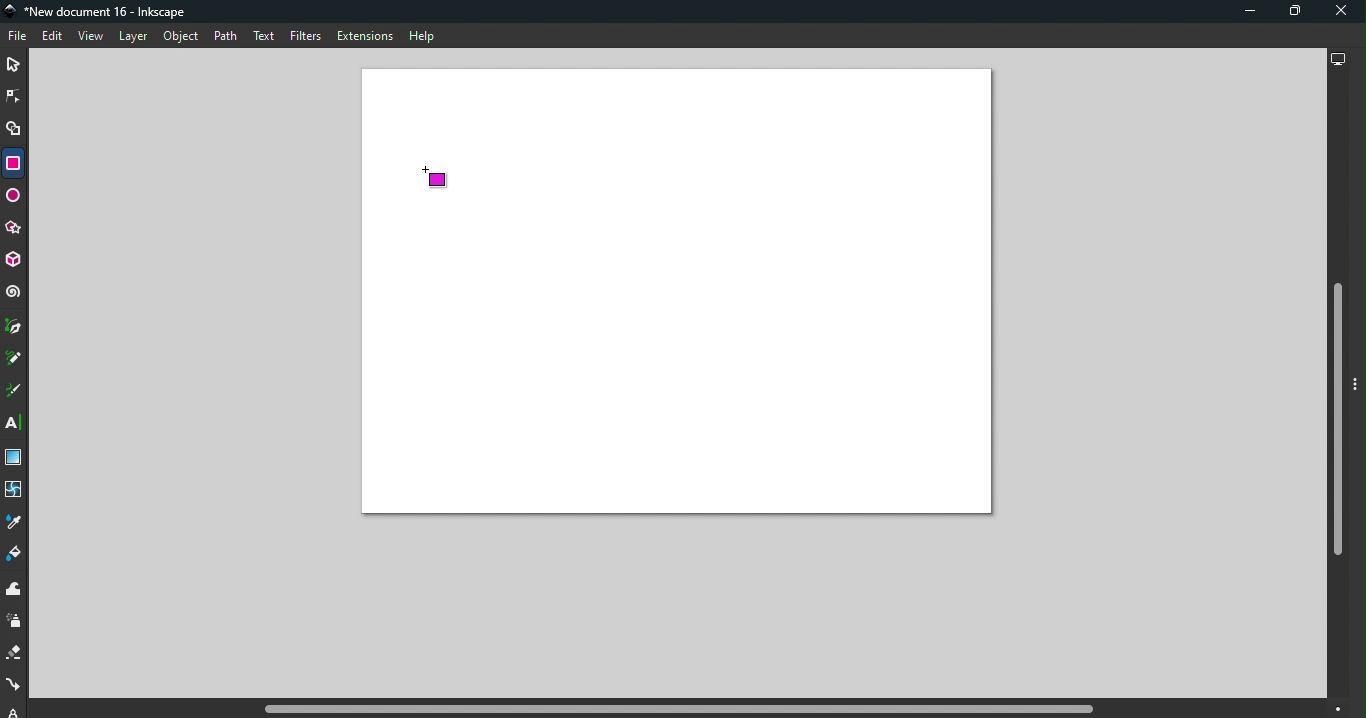 This screenshot has height=718, width=1366. I want to click on Layer, so click(133, 38).